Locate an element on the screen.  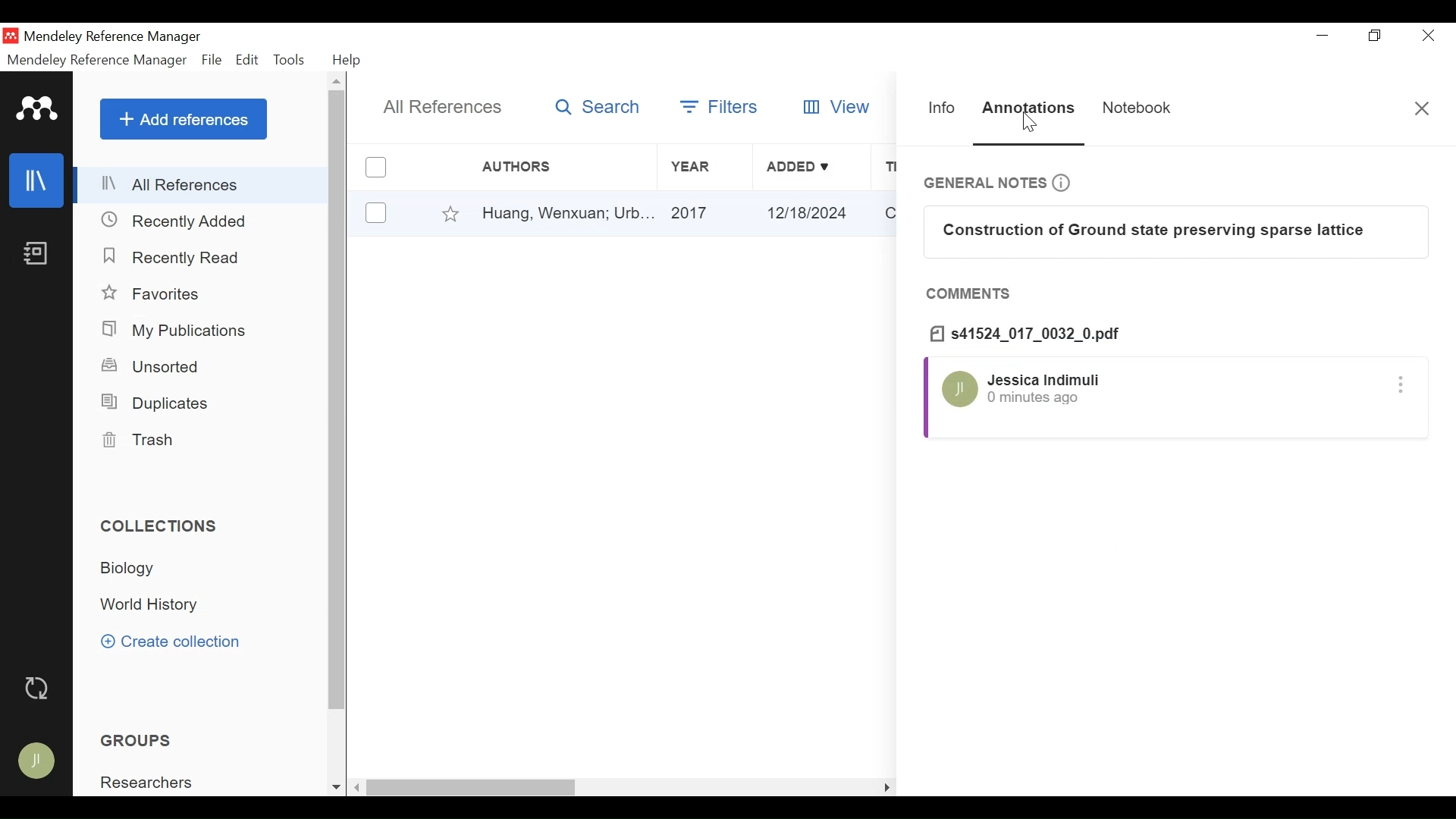
Jessica Indimuli is located at coordinates (1044, 379).